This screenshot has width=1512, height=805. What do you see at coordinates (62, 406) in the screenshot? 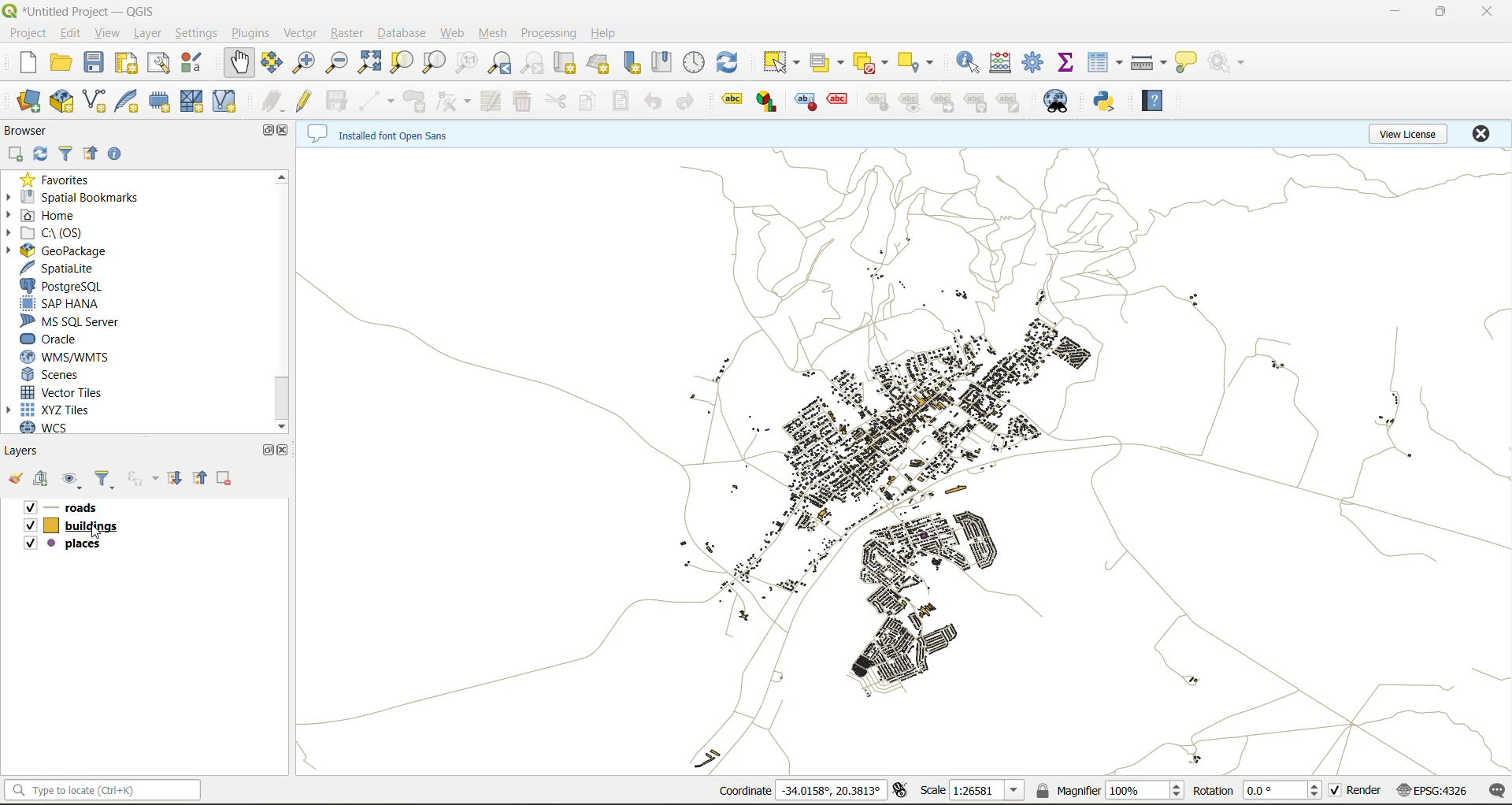
I see `xyz tiles` at bounding box center [62, 406].